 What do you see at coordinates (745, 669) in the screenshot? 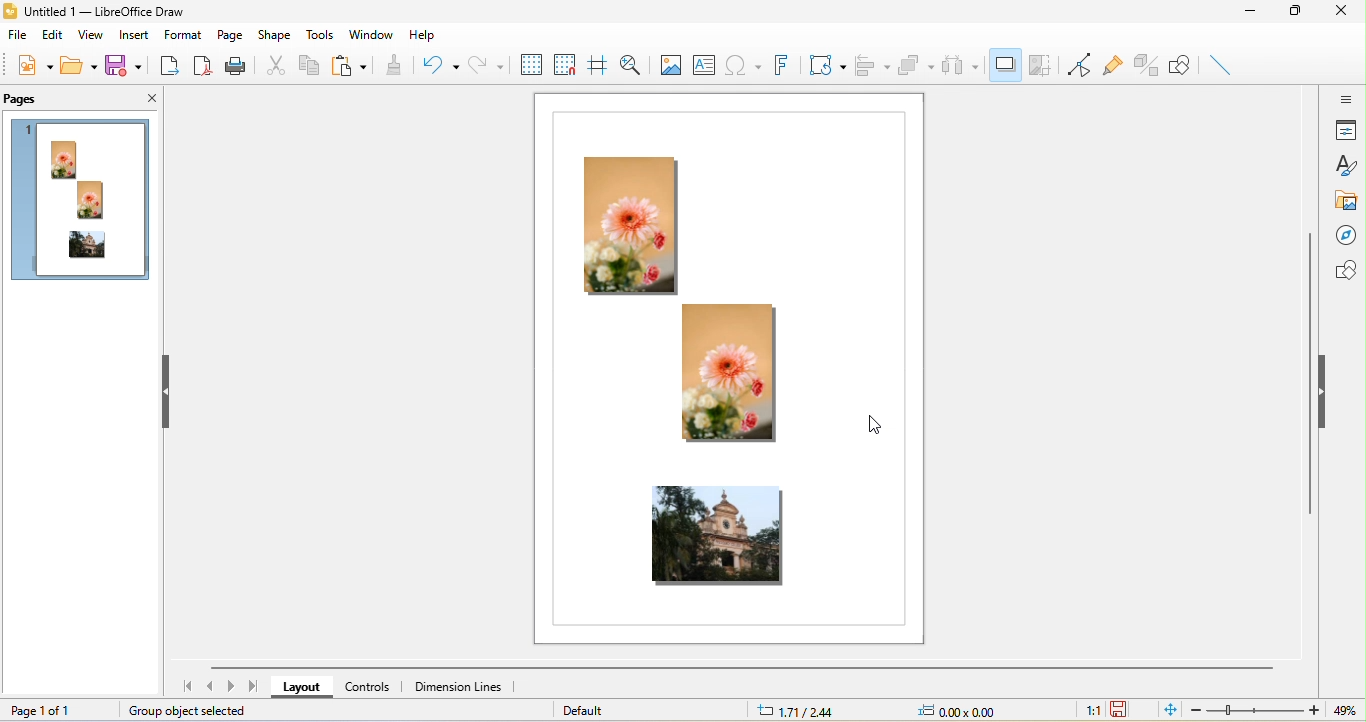
I see `horizontal scroll bar` at bounding box center [745, 669].